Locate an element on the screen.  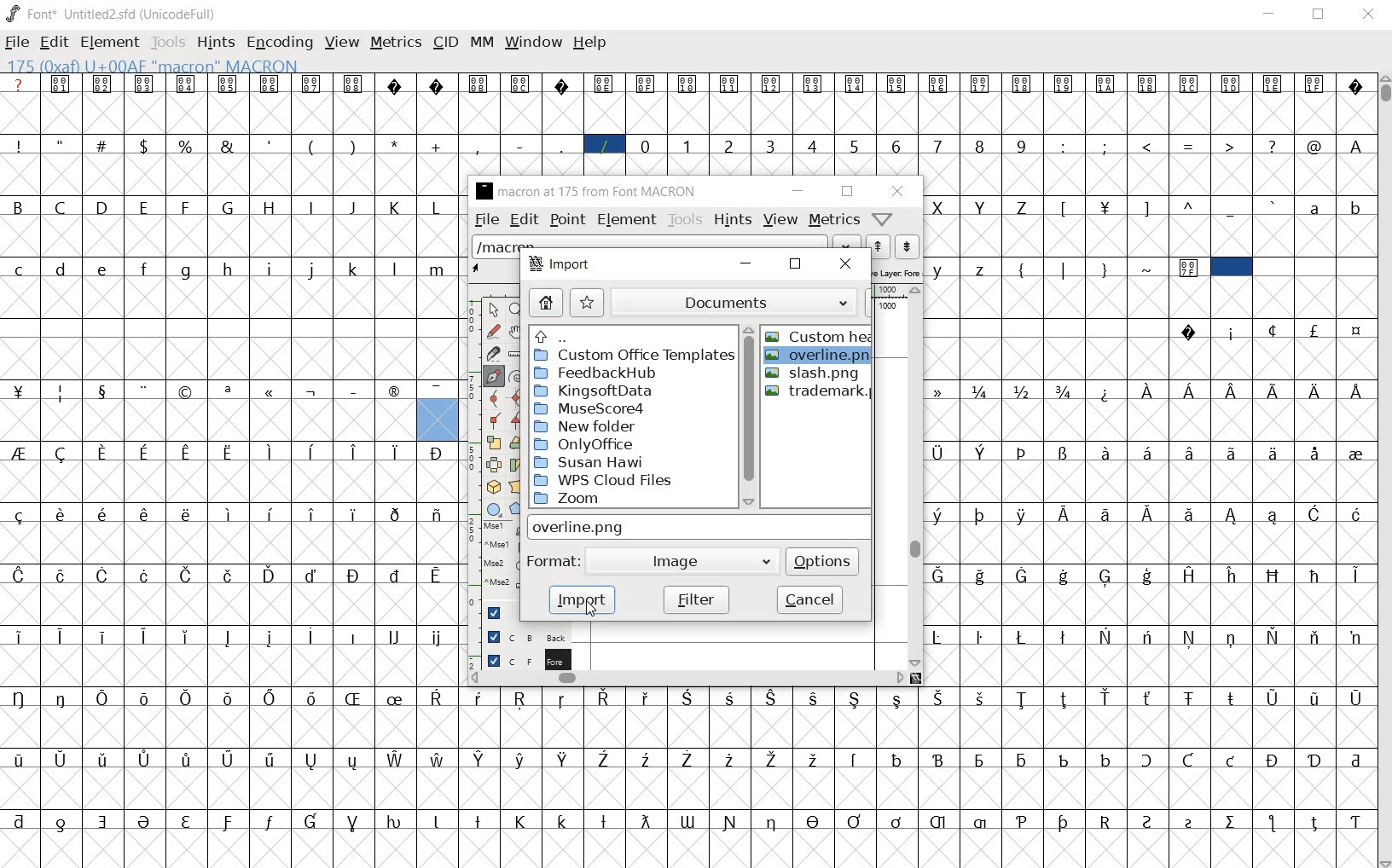
Symbol is located at coordinates (899, 820).